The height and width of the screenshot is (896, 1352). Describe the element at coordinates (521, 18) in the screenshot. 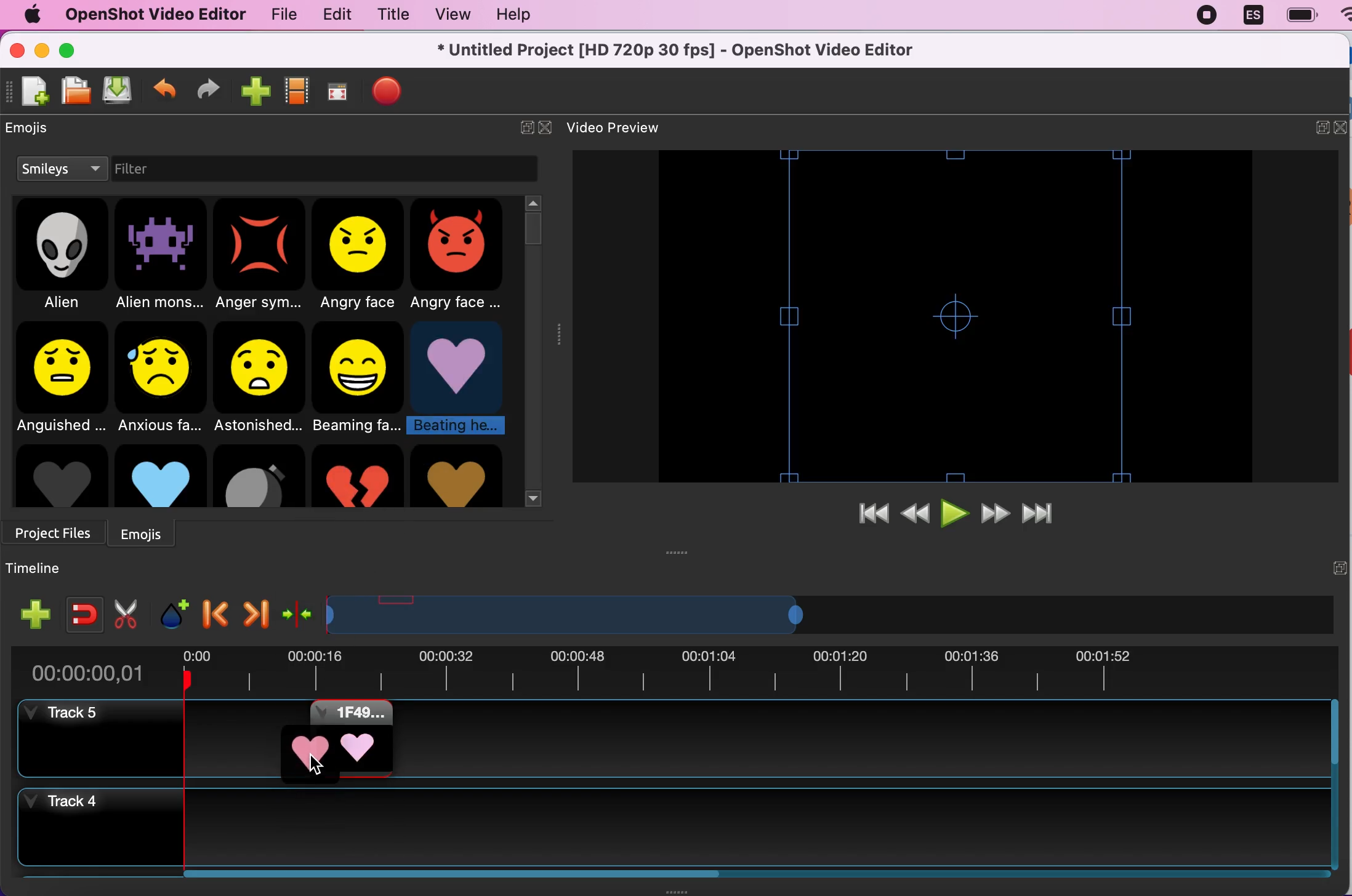

I see `help` at that location.